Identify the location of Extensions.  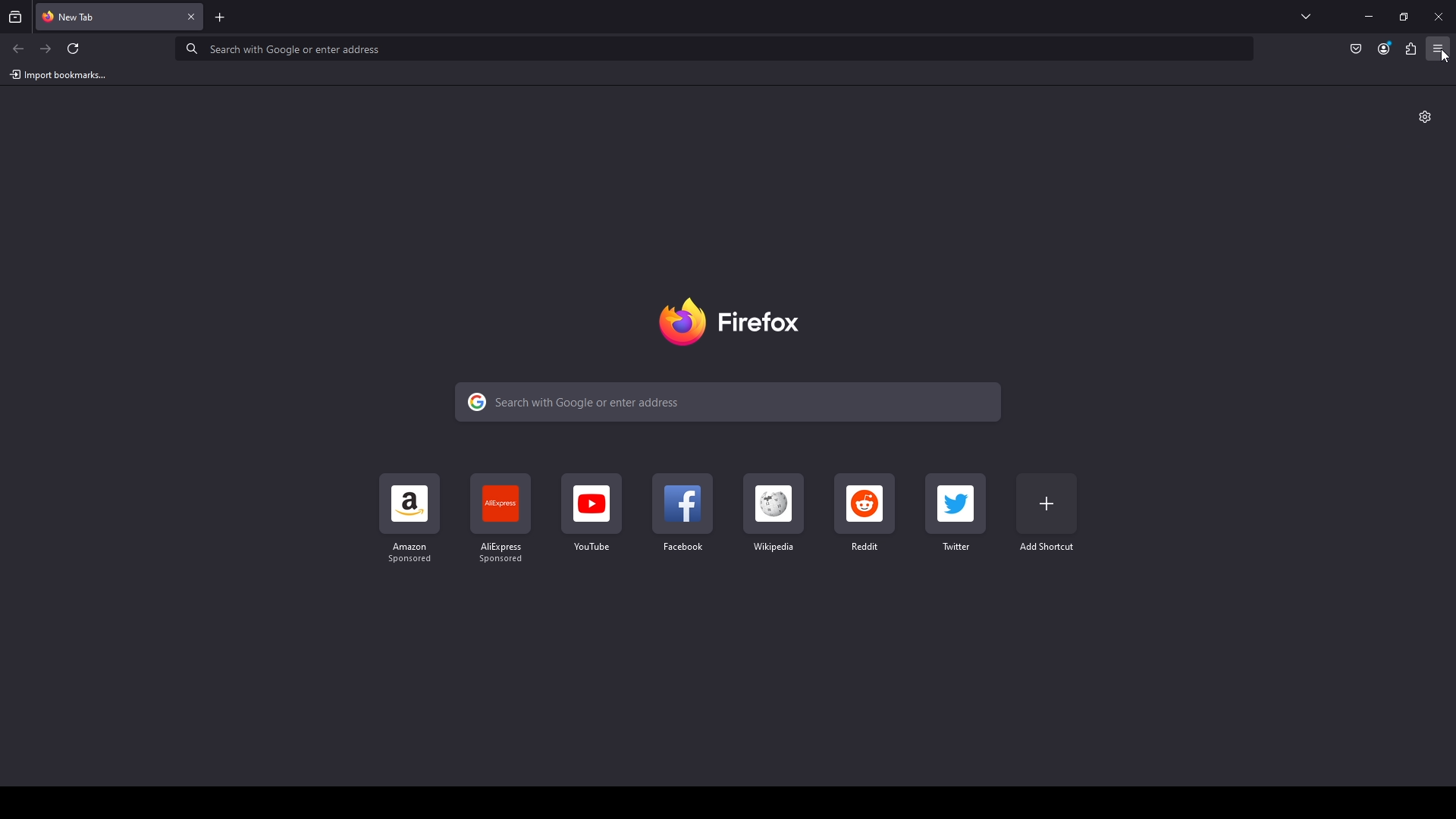
(1411, 49).